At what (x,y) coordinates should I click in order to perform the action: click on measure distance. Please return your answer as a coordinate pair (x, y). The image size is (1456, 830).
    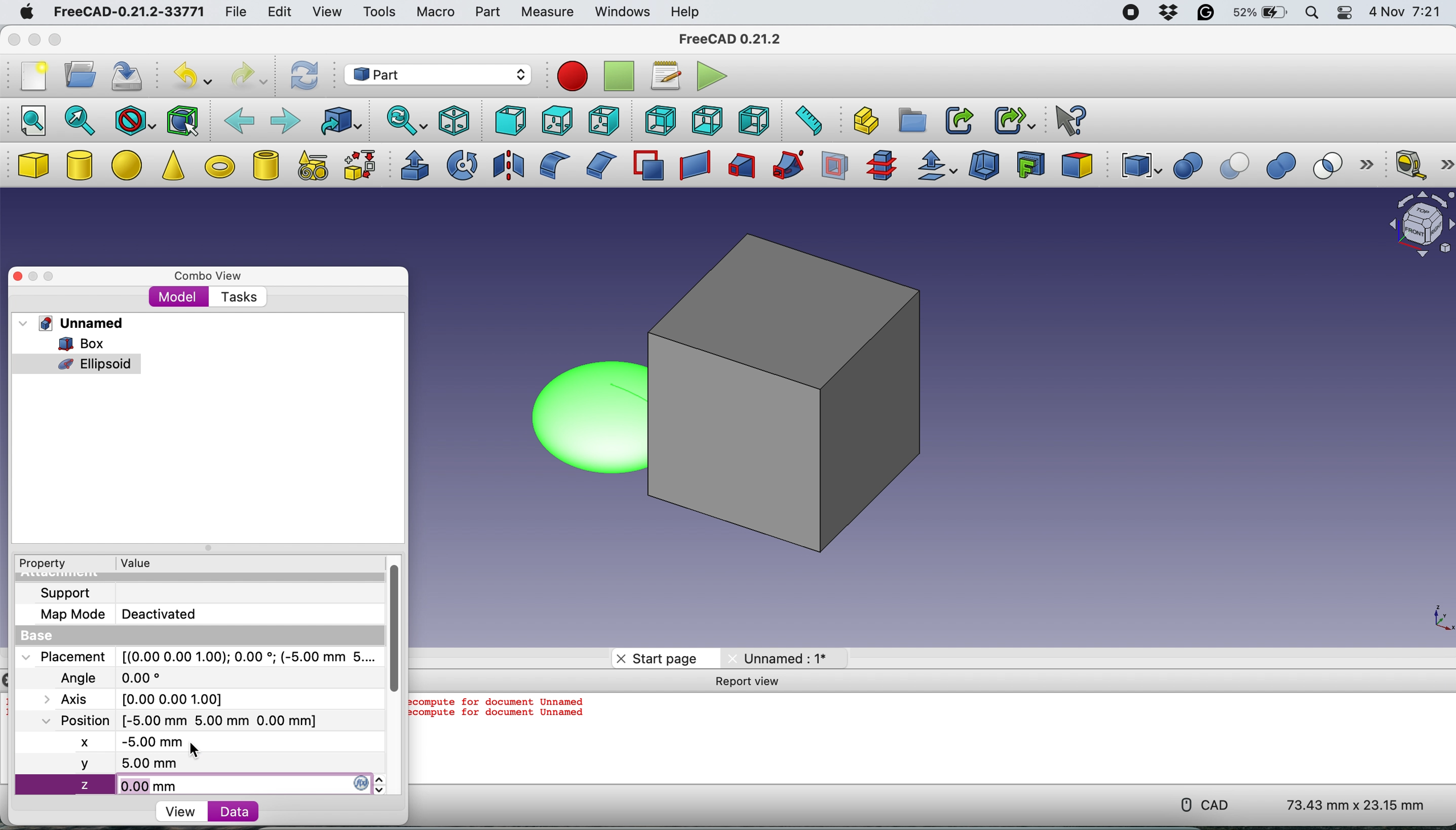
    Looking at the image, I should click on (805, 120).